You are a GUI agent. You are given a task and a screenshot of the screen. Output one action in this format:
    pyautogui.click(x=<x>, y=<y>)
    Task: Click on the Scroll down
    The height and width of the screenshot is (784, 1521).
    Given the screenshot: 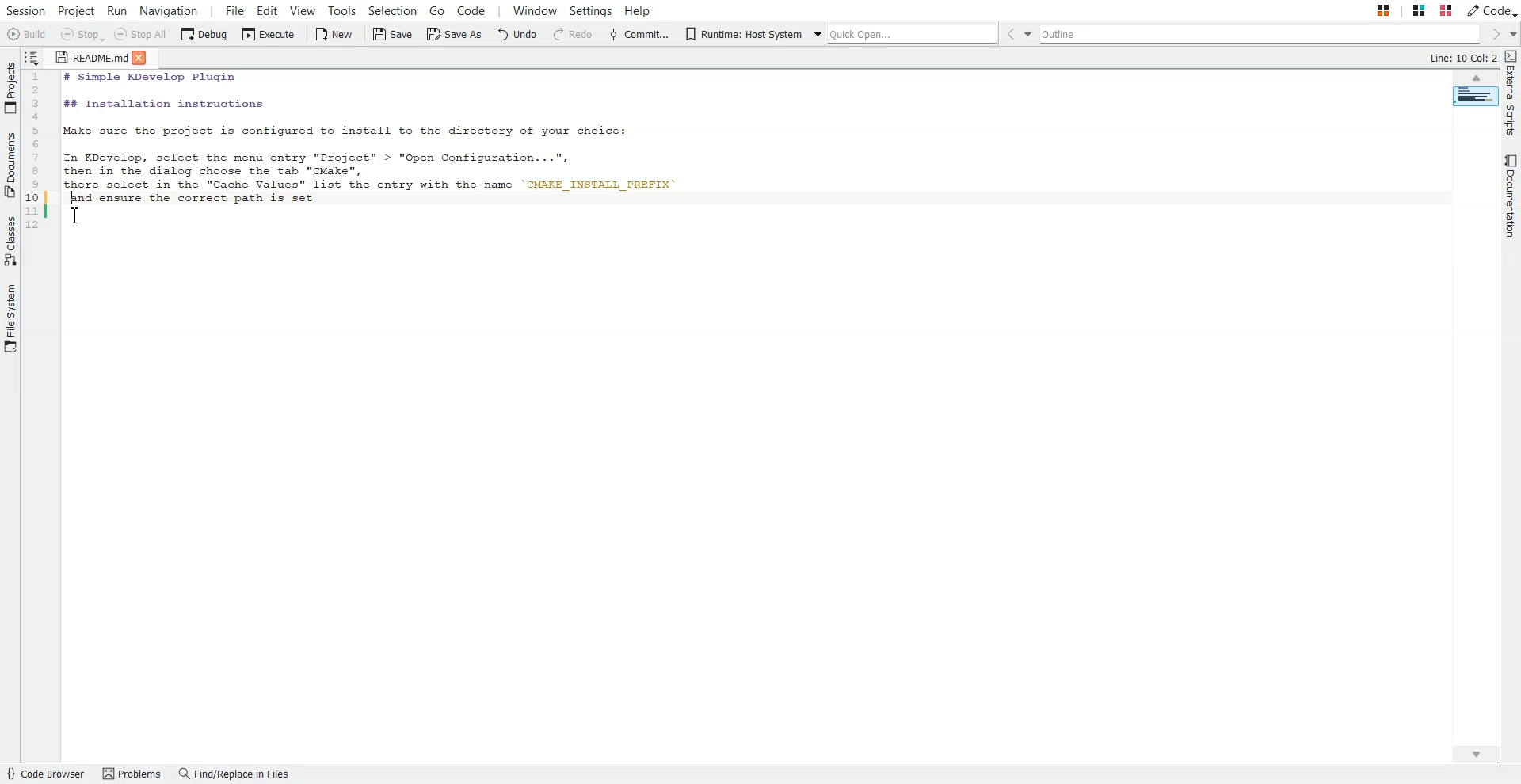 What is the action you would take?
    pyautogui.click(x=1474, y=754)
    